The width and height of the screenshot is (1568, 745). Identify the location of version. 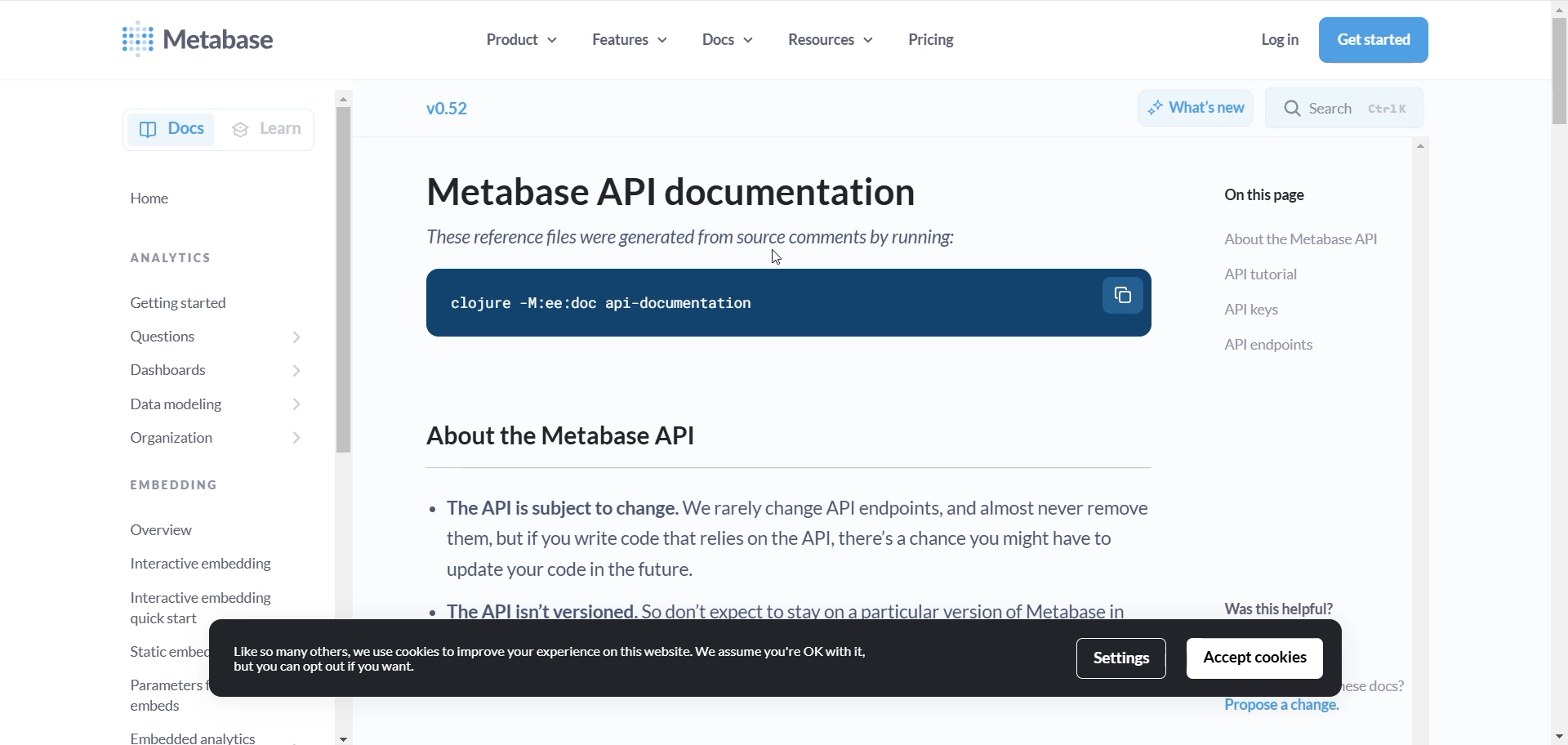
(452, 108).